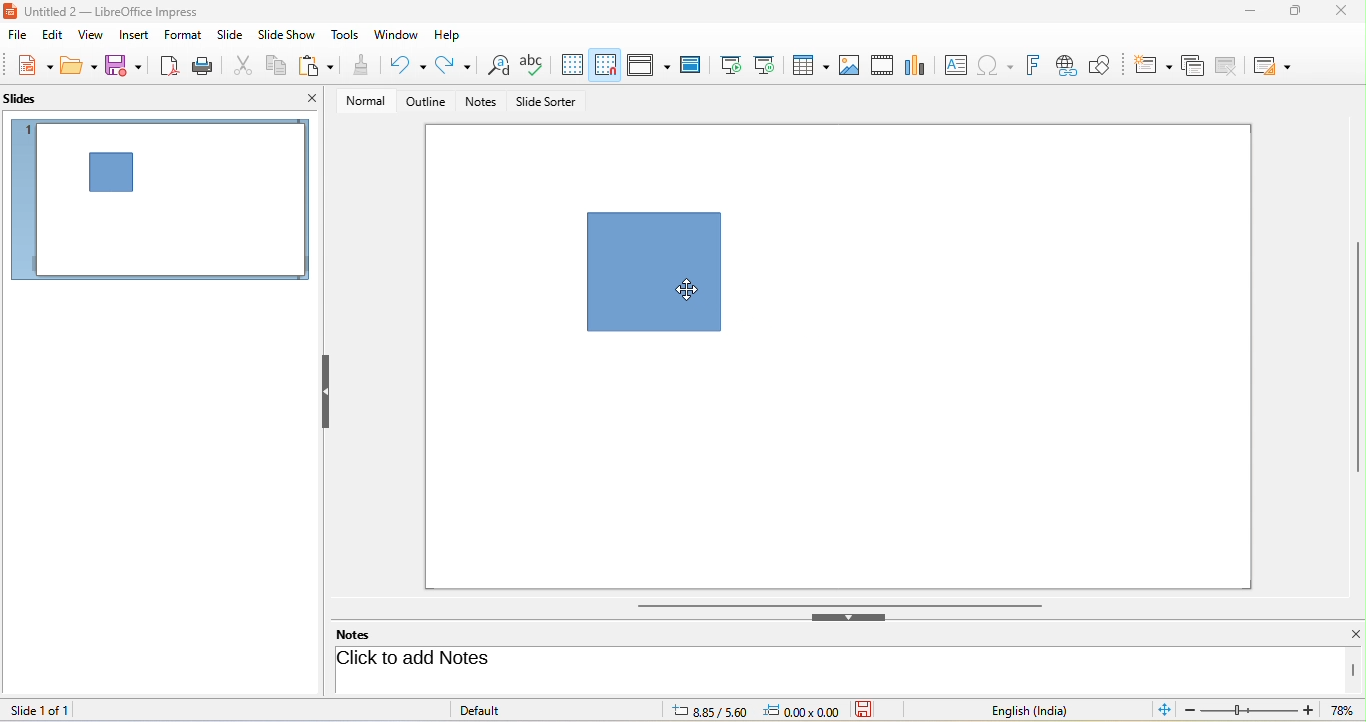 This screenshot has width=1366, height=722. I want to click on snap to grid, so click(605, 65).